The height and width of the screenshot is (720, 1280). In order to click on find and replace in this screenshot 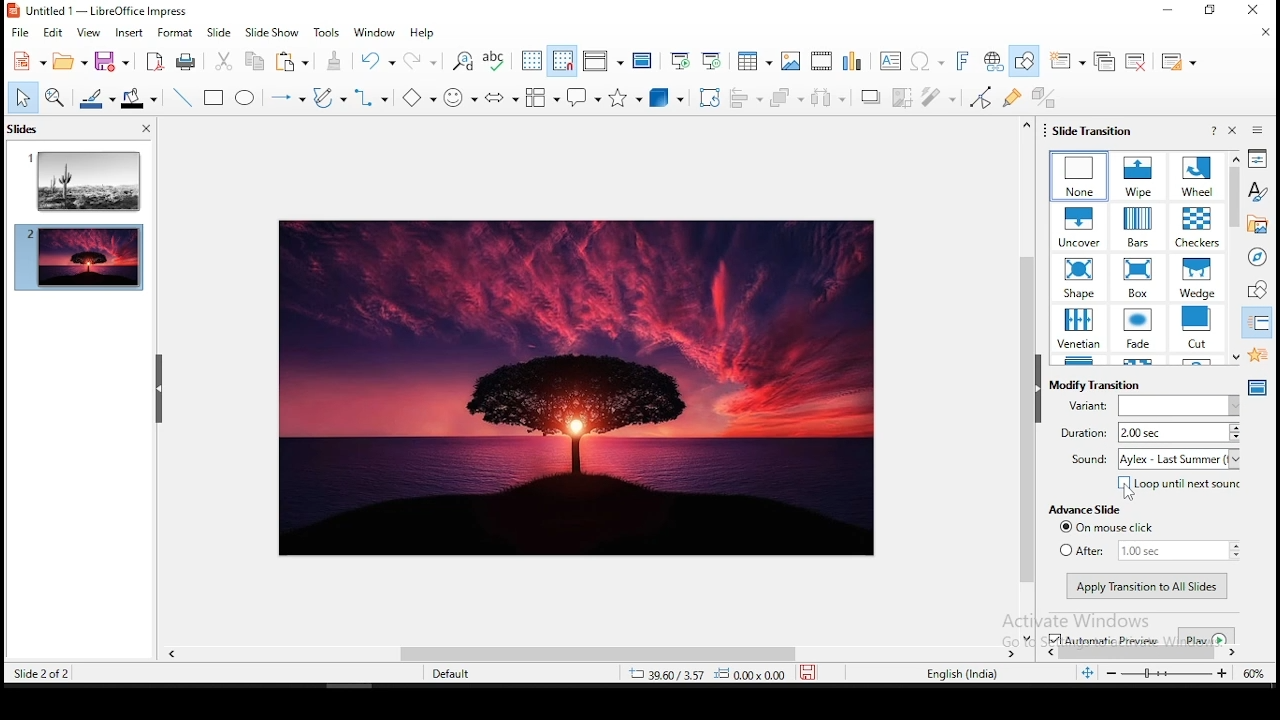, I will do `click(465, 61)`.